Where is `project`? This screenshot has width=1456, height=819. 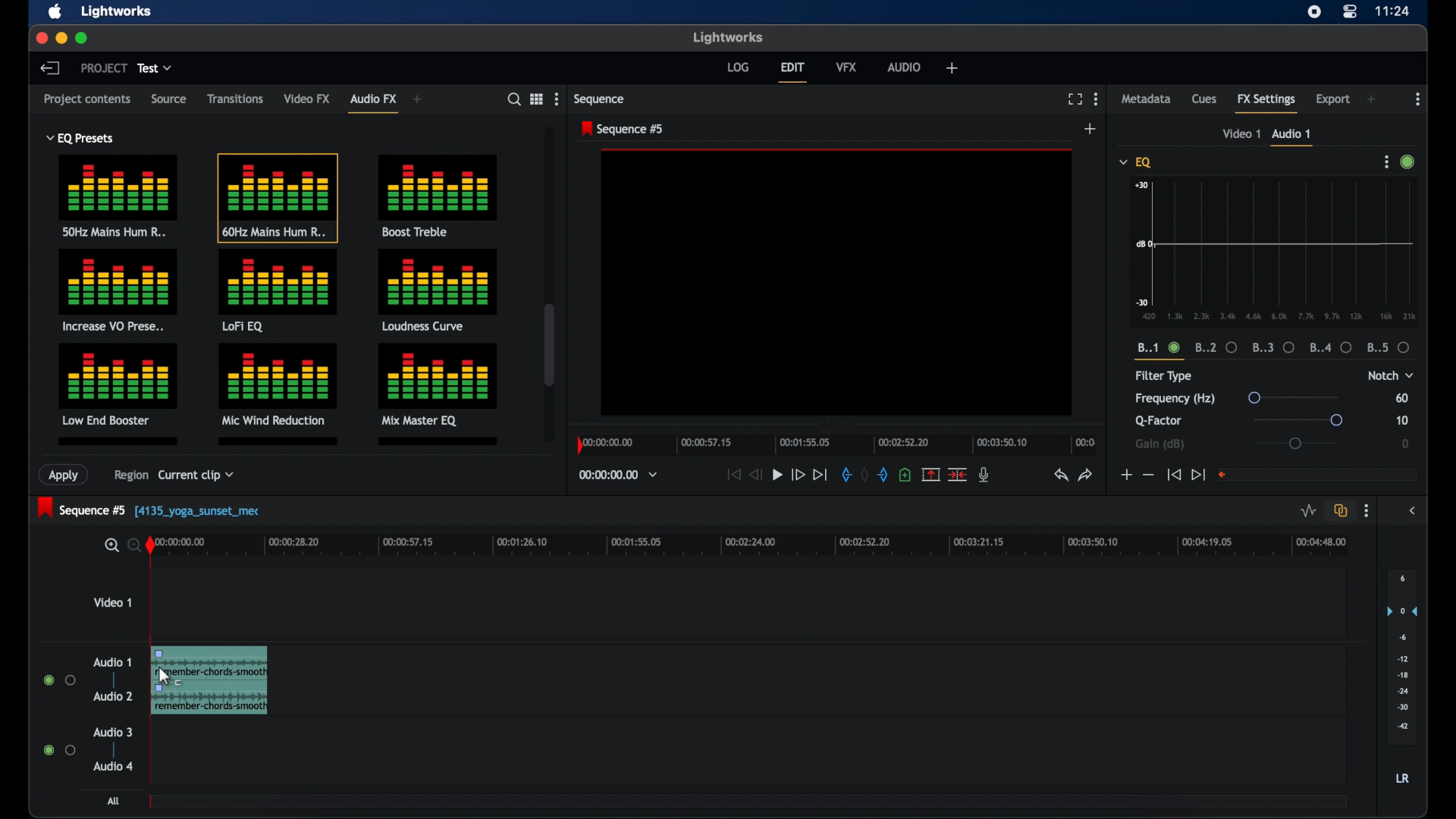
project is located at coordinates (104, 67).